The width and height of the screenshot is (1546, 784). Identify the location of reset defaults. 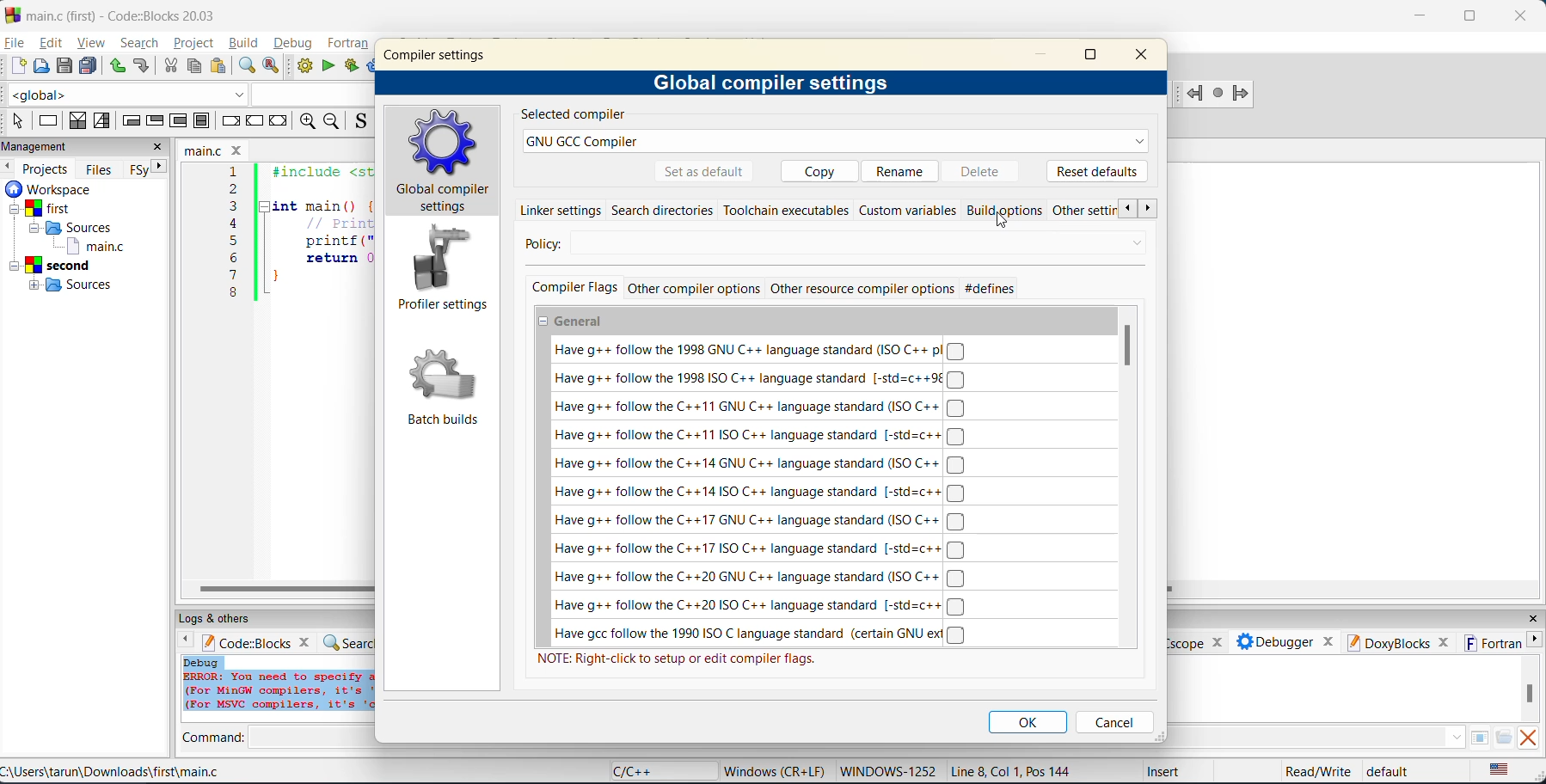
(1097, 170).